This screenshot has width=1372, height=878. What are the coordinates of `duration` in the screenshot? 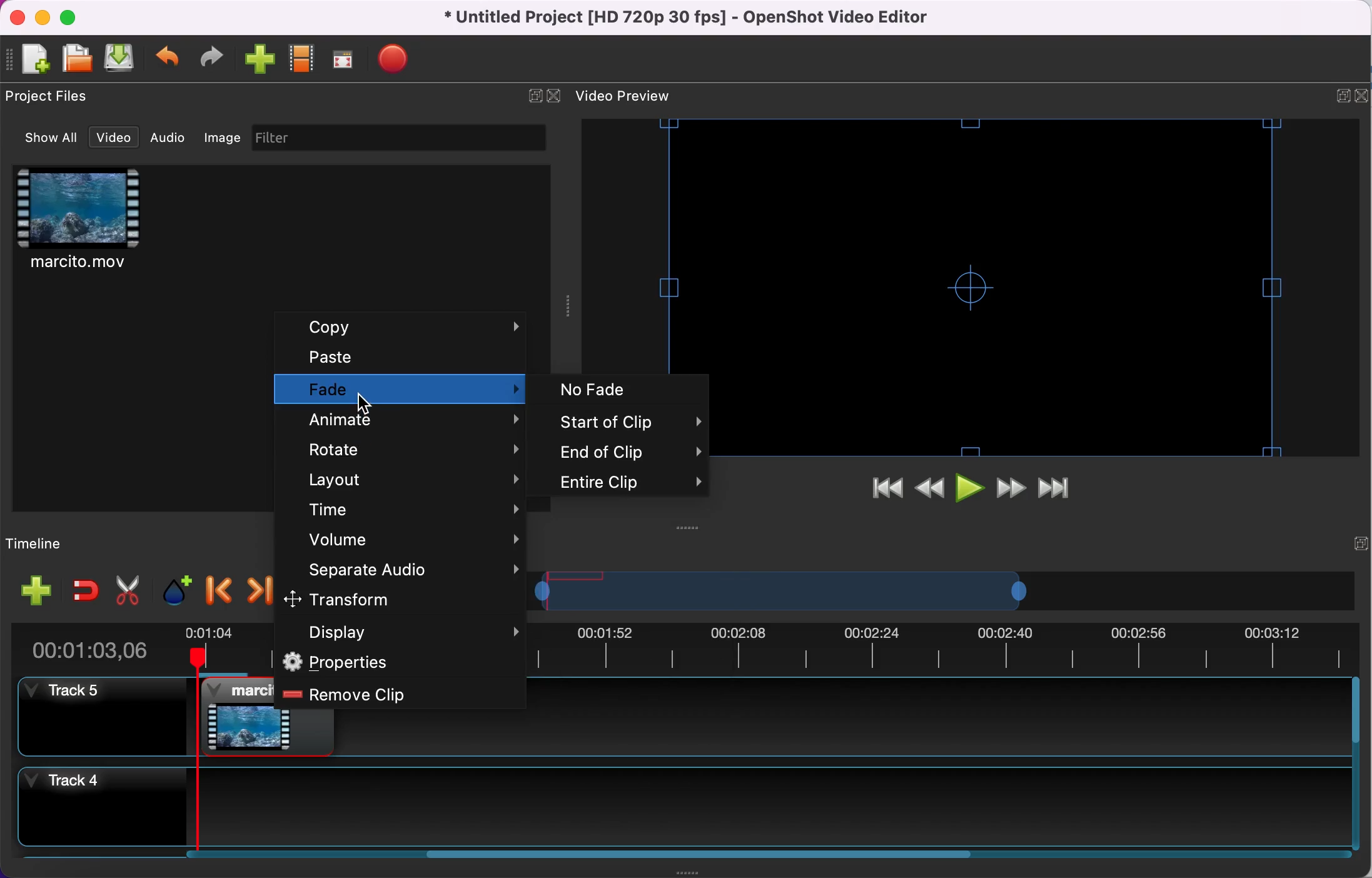 It's located at (95, 650).